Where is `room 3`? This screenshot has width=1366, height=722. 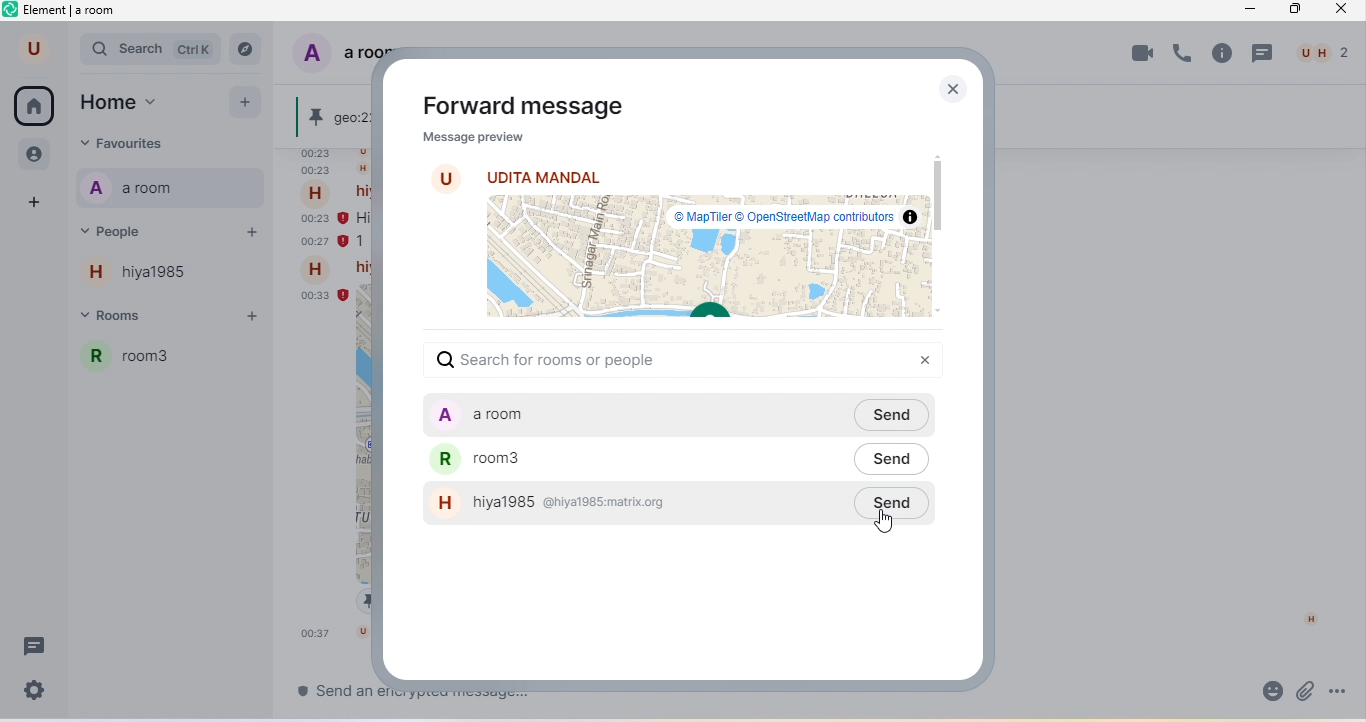 room 3 is located at coordinates (175, 365).